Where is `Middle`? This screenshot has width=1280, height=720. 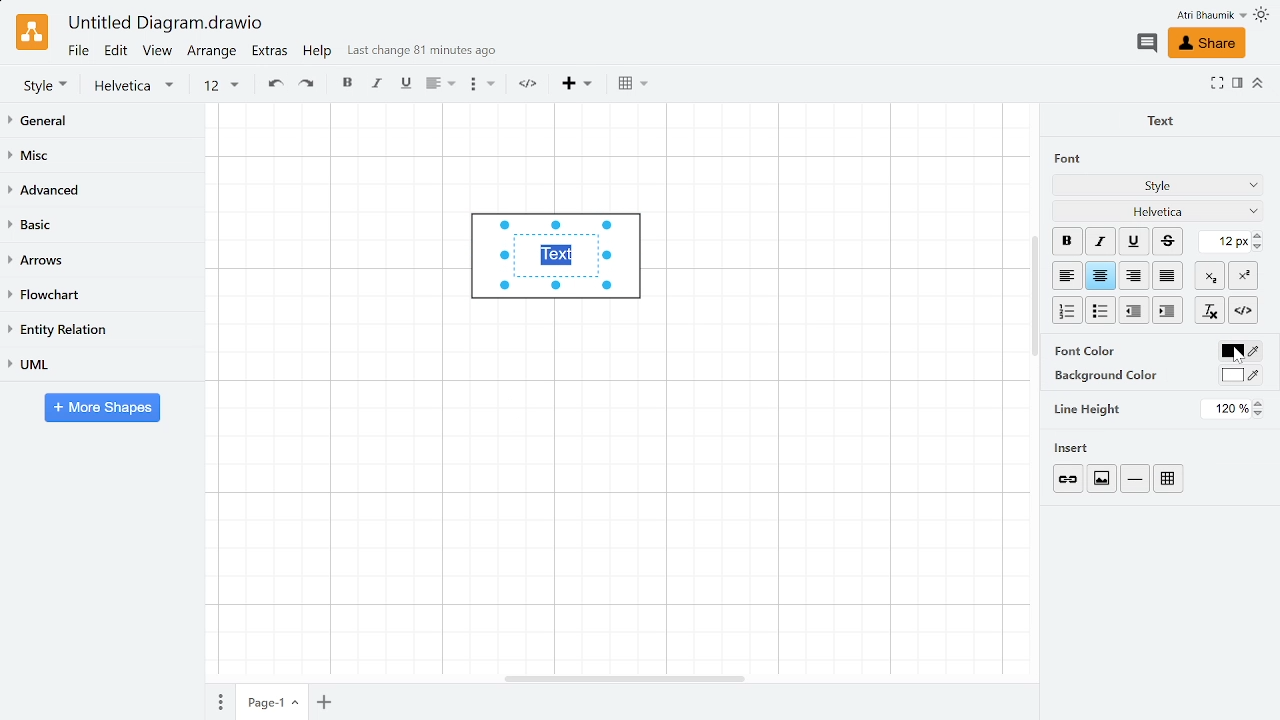
Middle is located at coordinates (1170, 276).